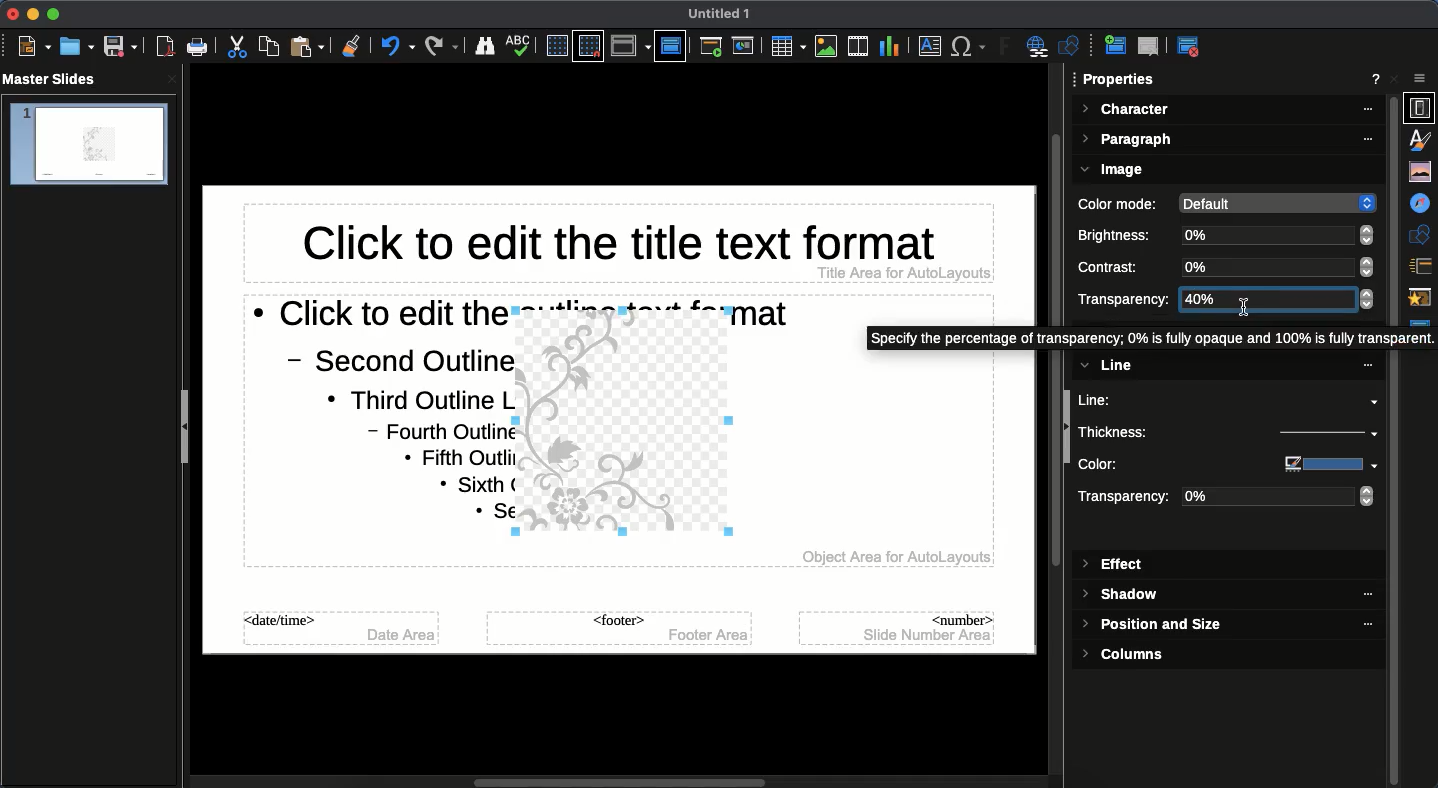  What do you see at coordinates (624, 779) in the screenshot?
I see `horizontal Scroll bar` at bounding box center [624, 779].